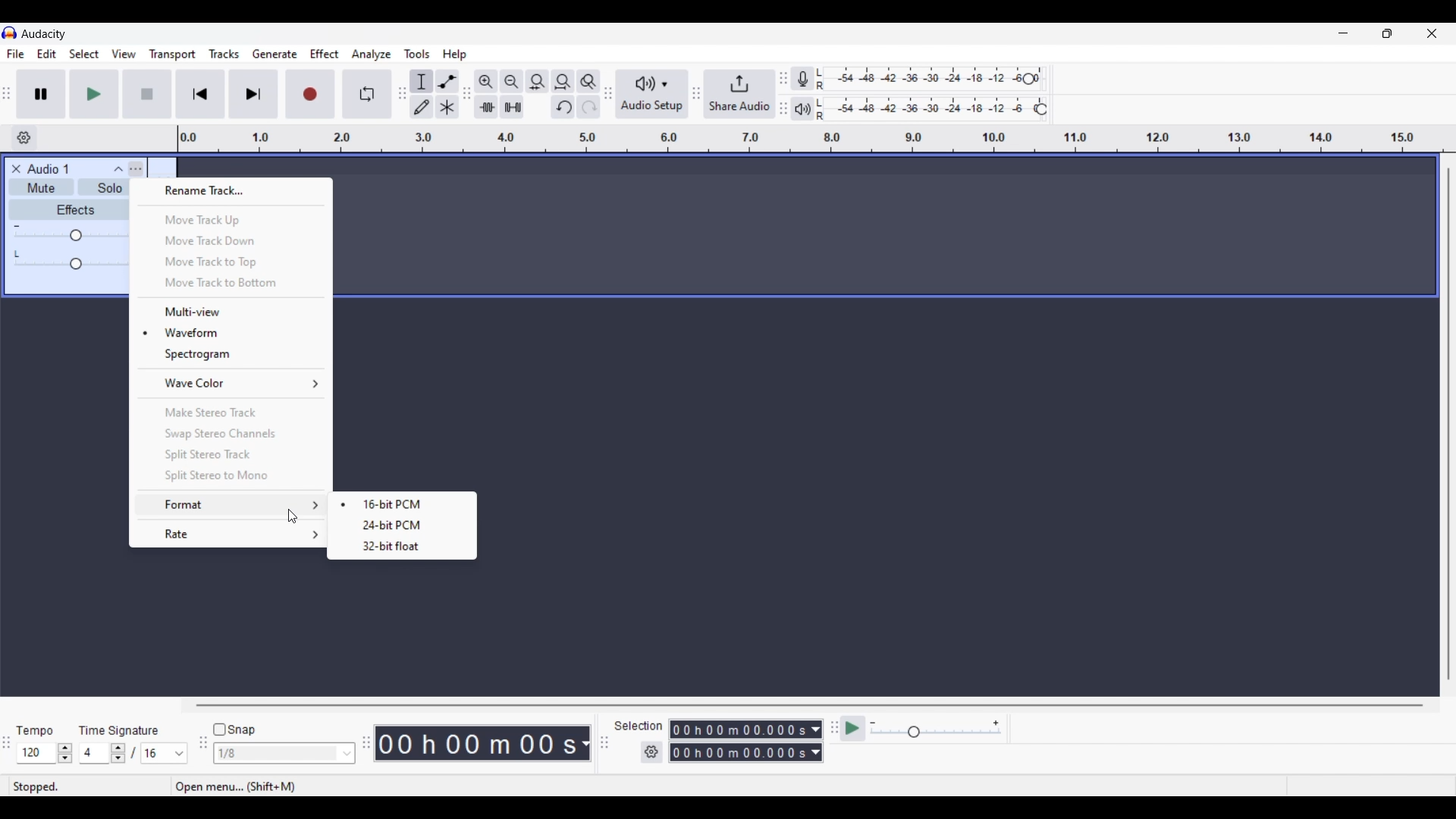 This screenshot has width=1456, height=819. I want to click on Time Signature, so click(121, 730).